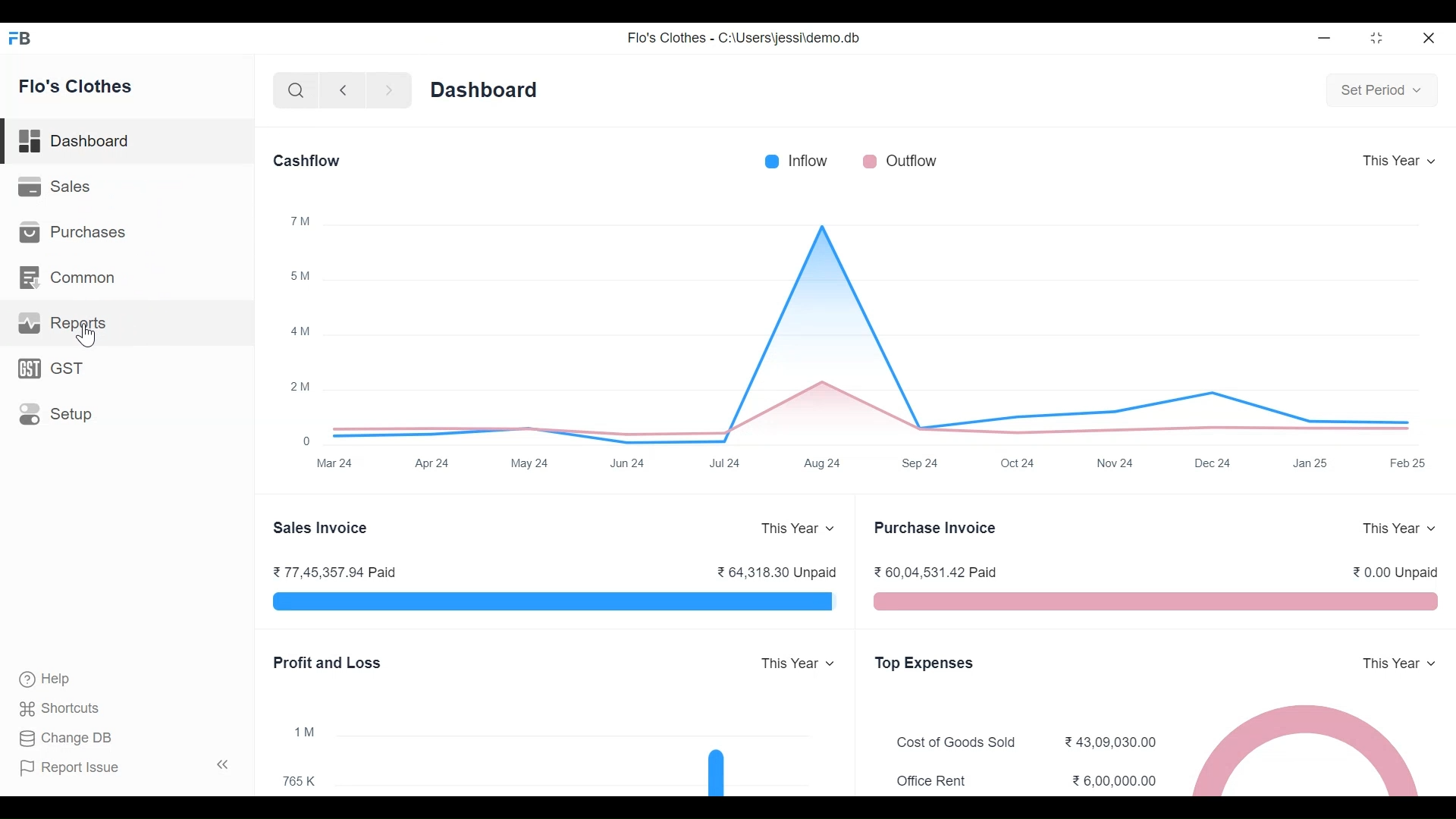 The image size is (1456, 819). I want to click on Office Rent, so click(931, 782).